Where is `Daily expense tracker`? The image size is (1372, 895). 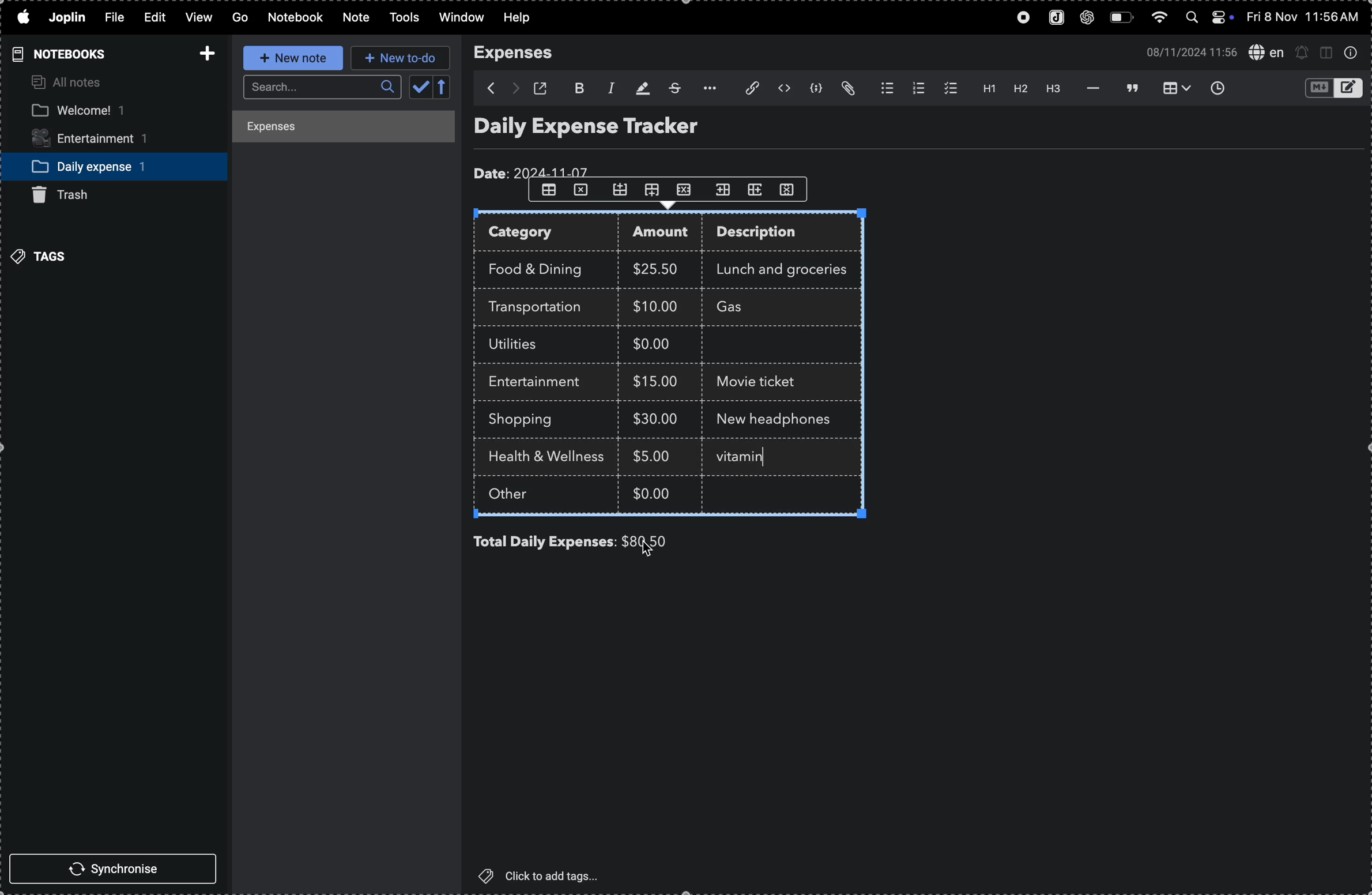 Daily expense tracker is located at coordinates (608, 129).